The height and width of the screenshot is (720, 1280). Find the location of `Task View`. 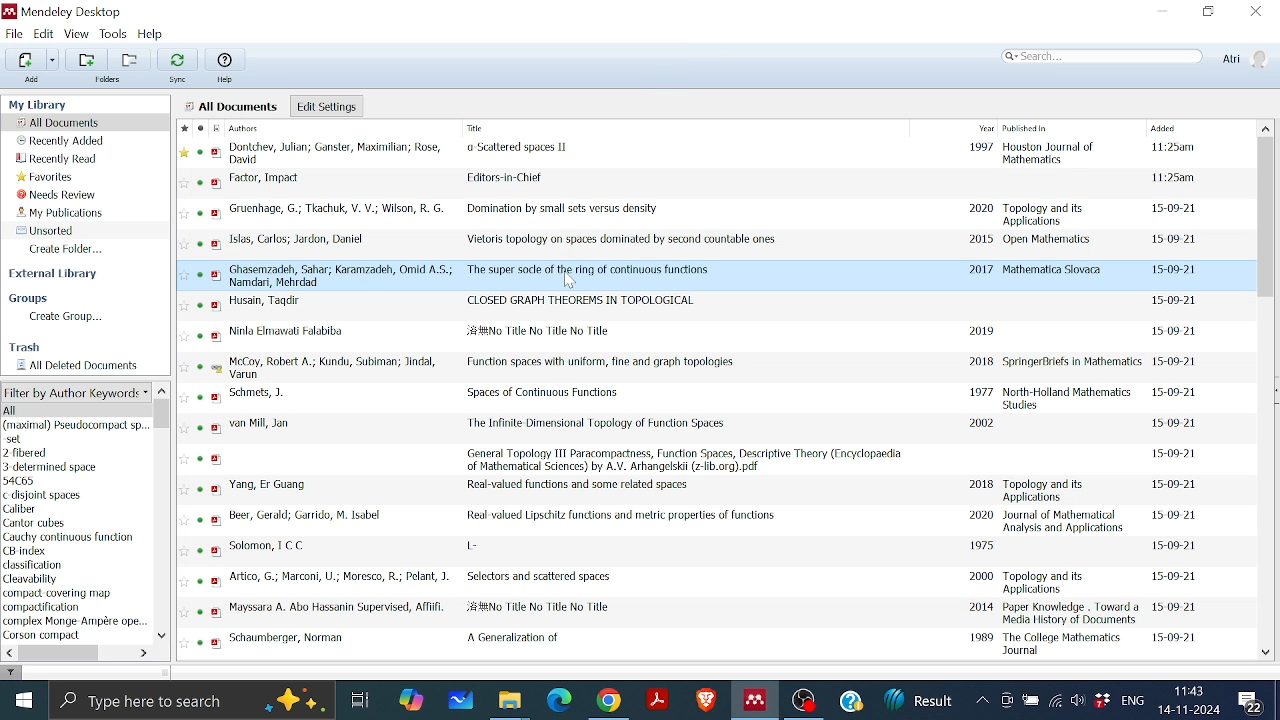

Task View is located at coordinates (365, 699).